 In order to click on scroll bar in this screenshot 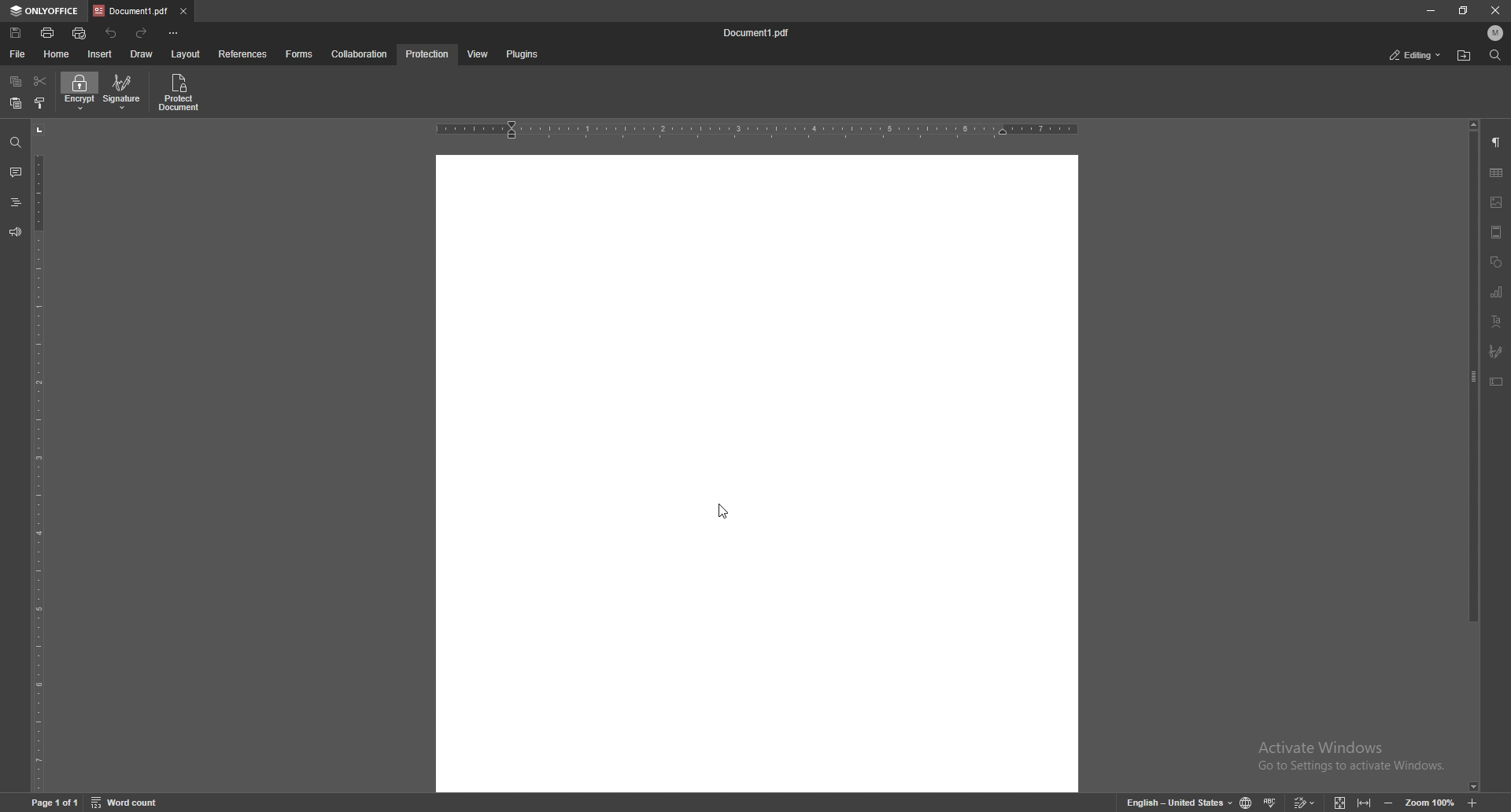, I will do `click(1472, 456)`.